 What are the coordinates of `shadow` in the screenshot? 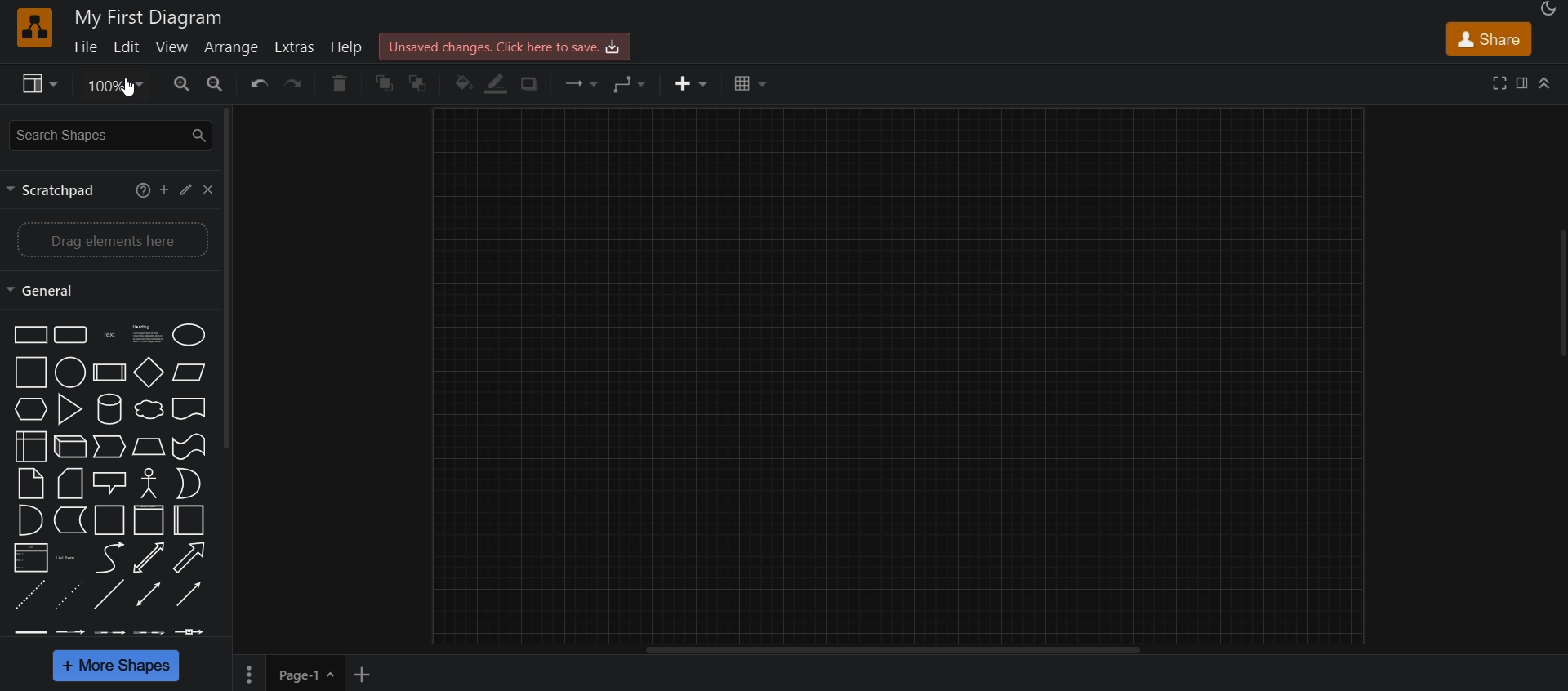 It's located at (534, 84).